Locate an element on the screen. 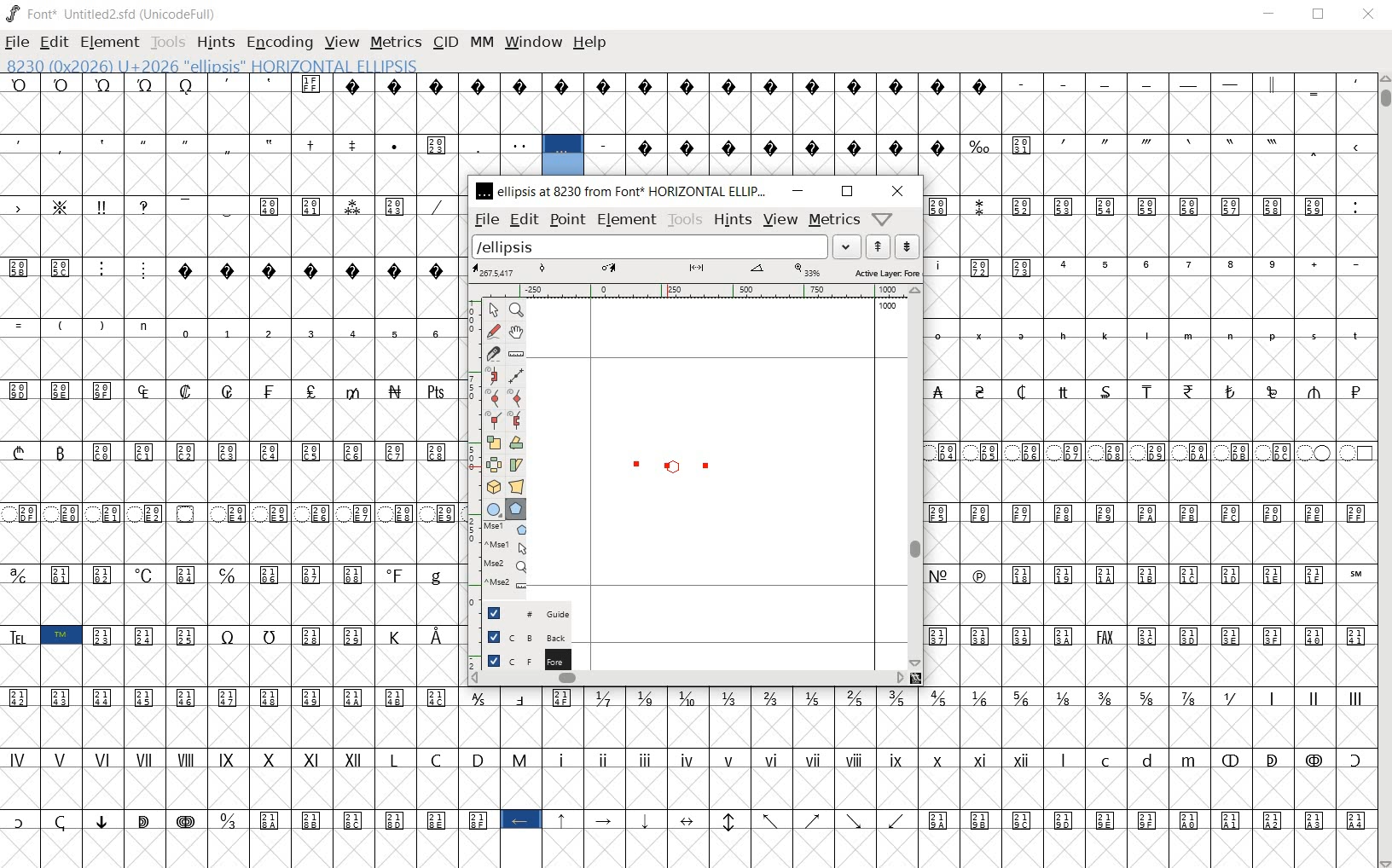 The image size is (1392, 868). TOOLS is located at coordinates (169, 42).